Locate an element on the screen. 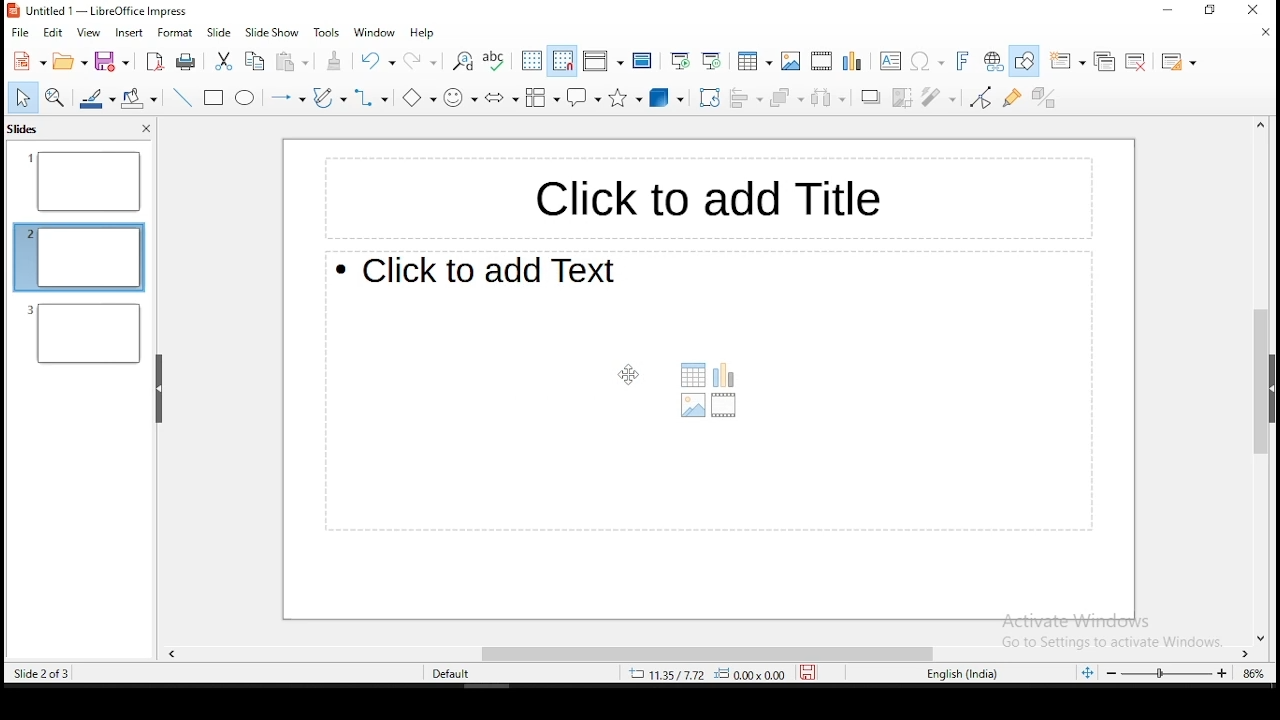 The width and height of the screenshot is (1280, 720). toggle extrusion is located at coordinates (1043, 100).